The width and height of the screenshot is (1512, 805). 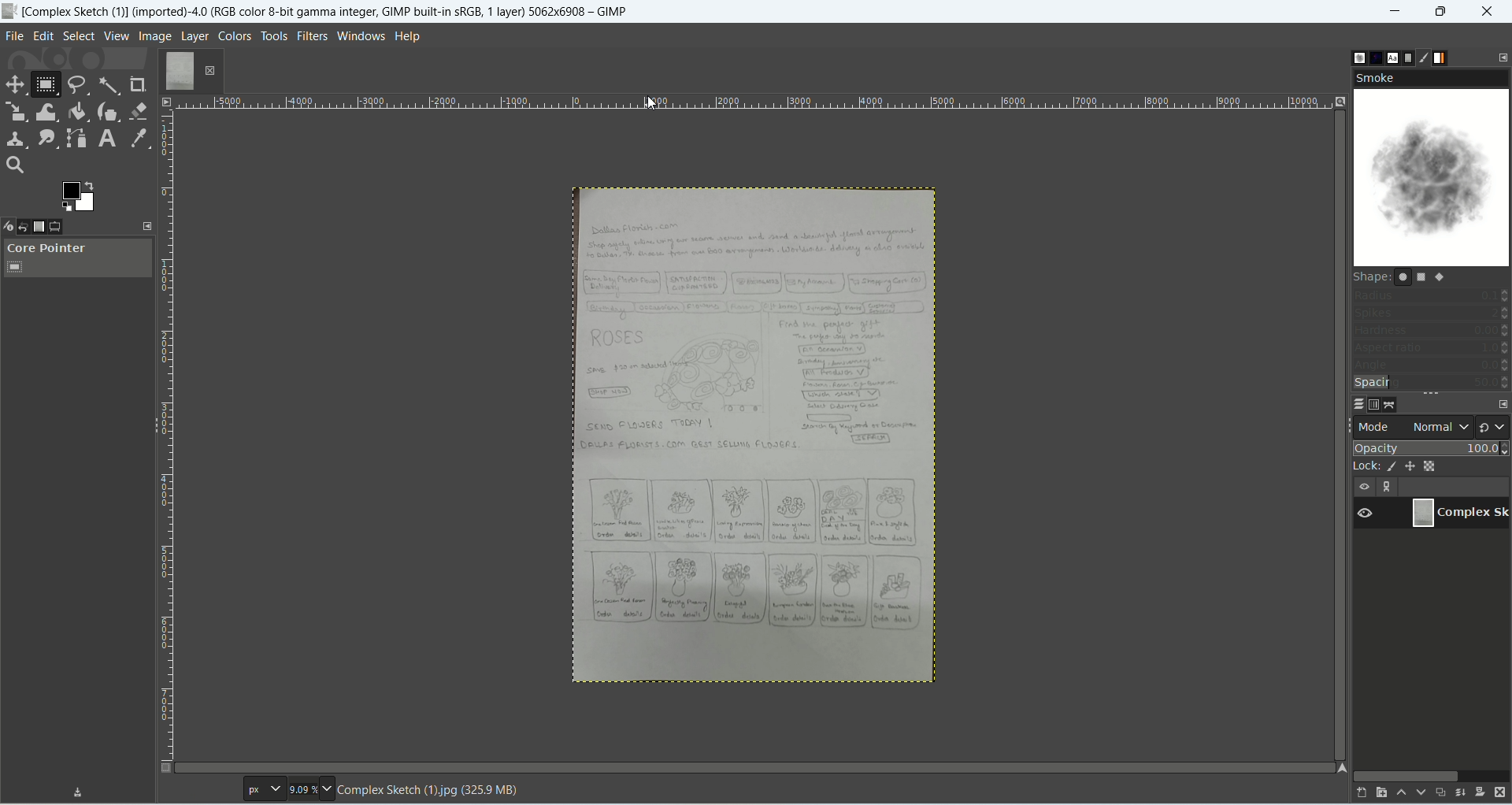 I want to click on pt, so click(x=261, y=788).